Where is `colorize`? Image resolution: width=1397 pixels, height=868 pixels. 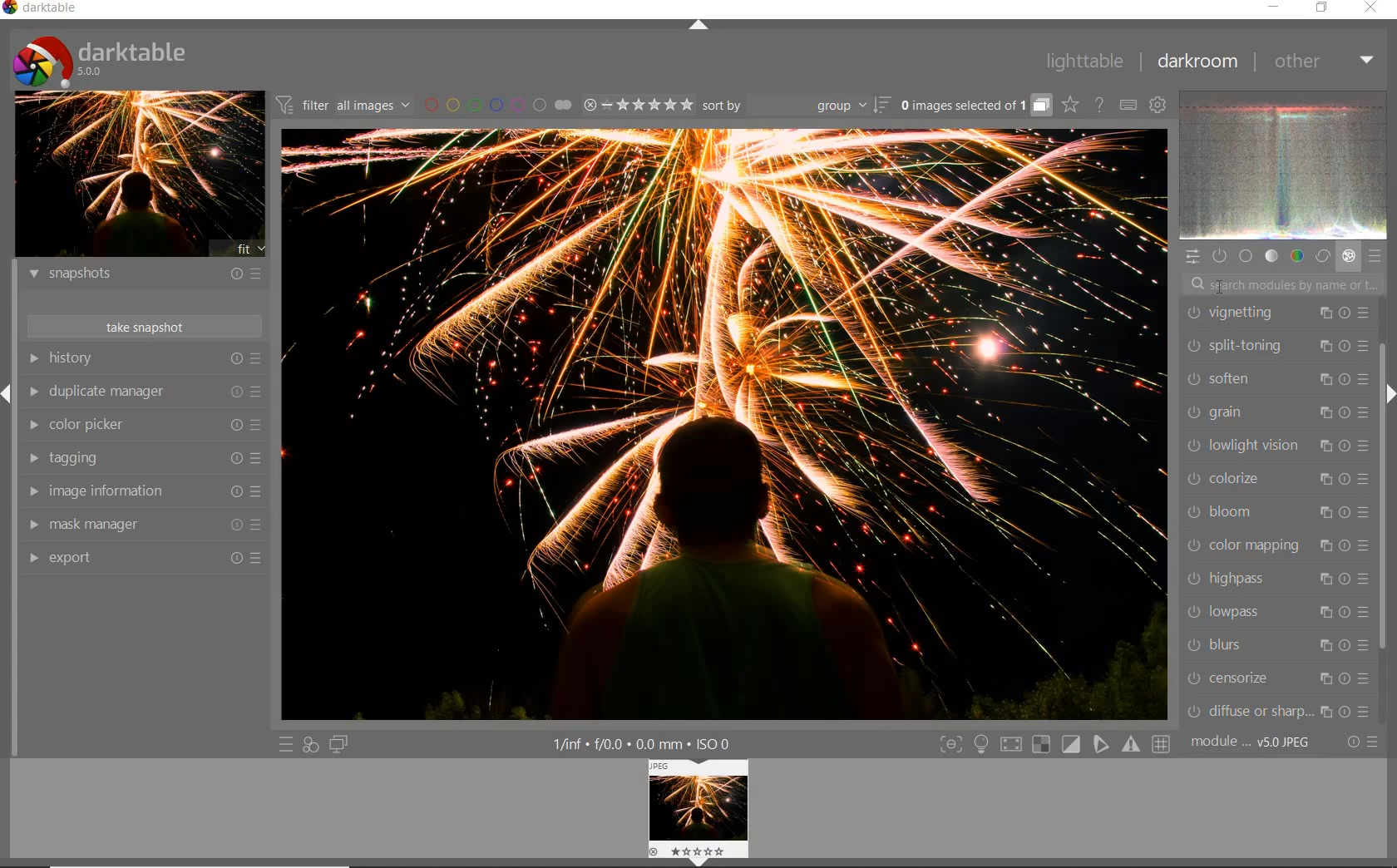
colorize is located at coordinates (1274, 481).